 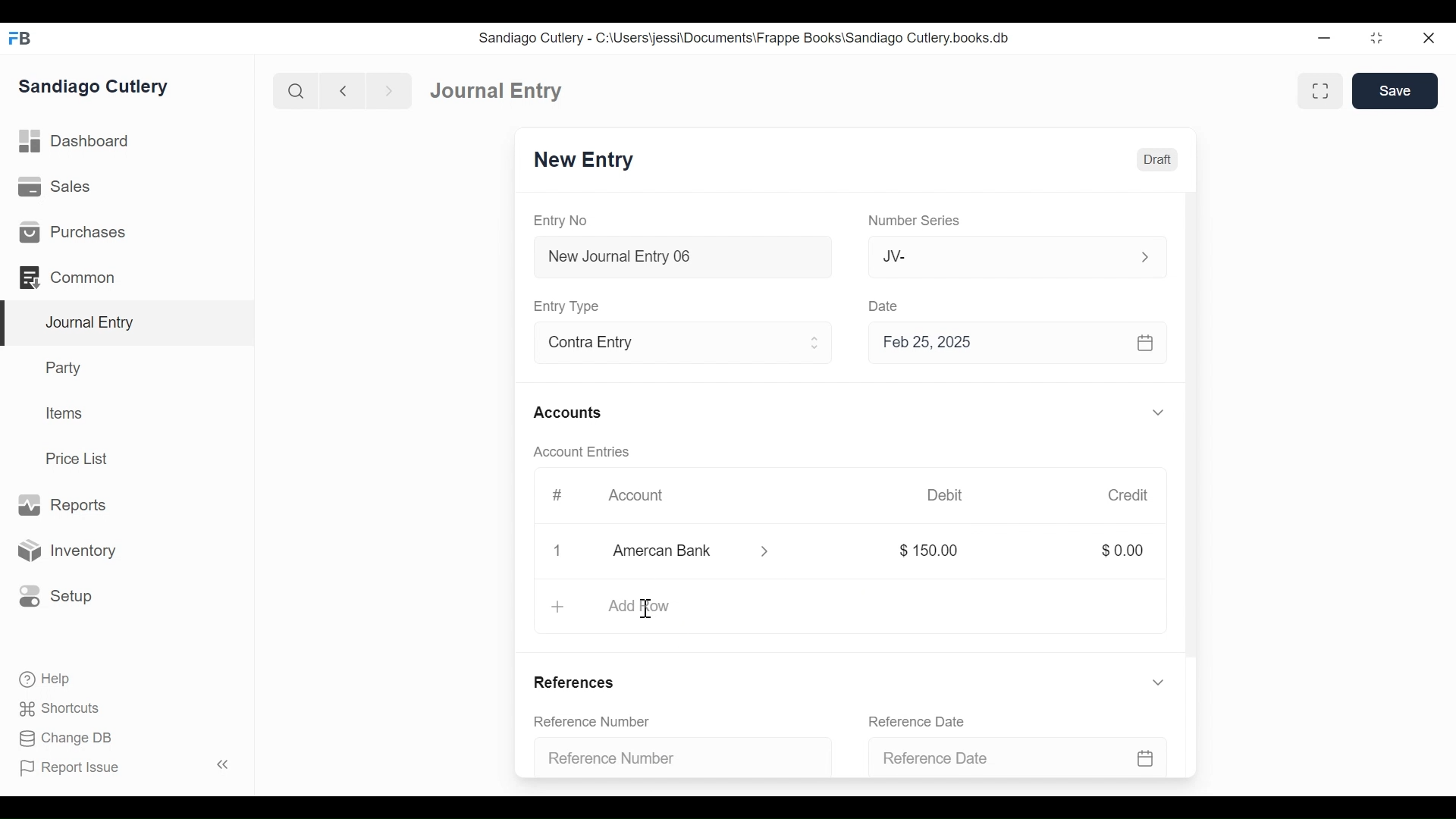 I want to click on Setup, so click(x=52, y=595).